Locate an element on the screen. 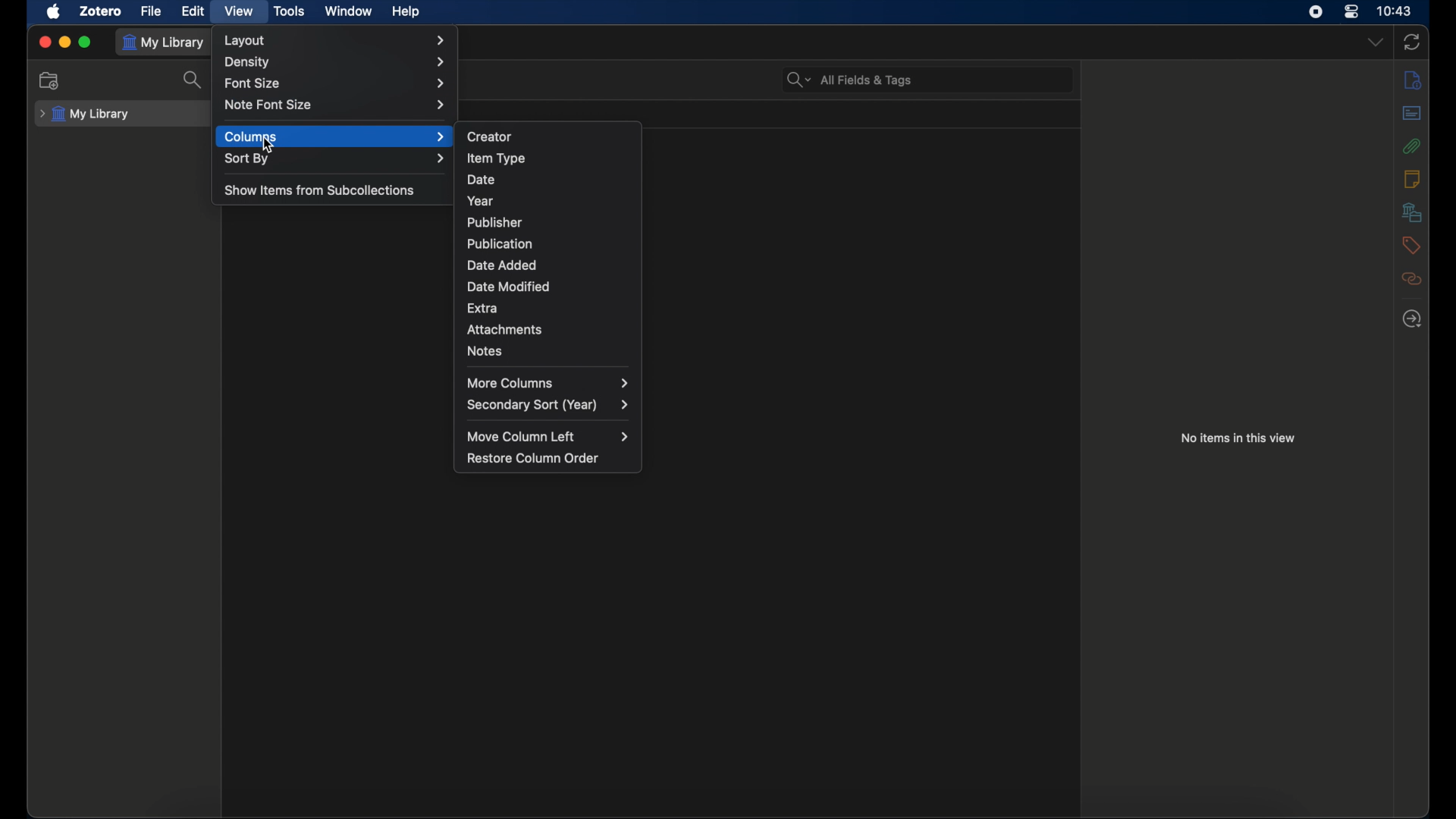  notes is located at coordinates (484, 351).